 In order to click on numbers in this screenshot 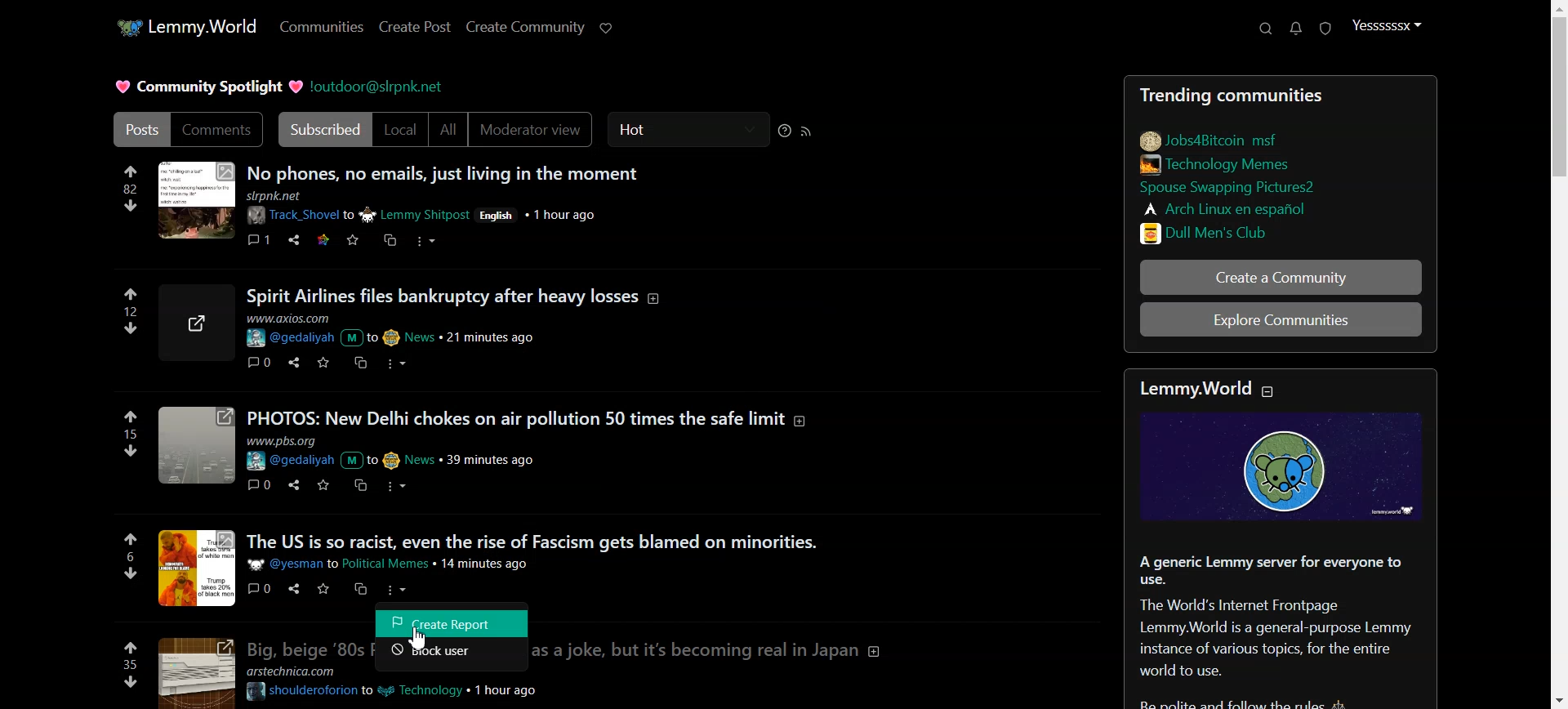, I will do `click(129, 556)`.